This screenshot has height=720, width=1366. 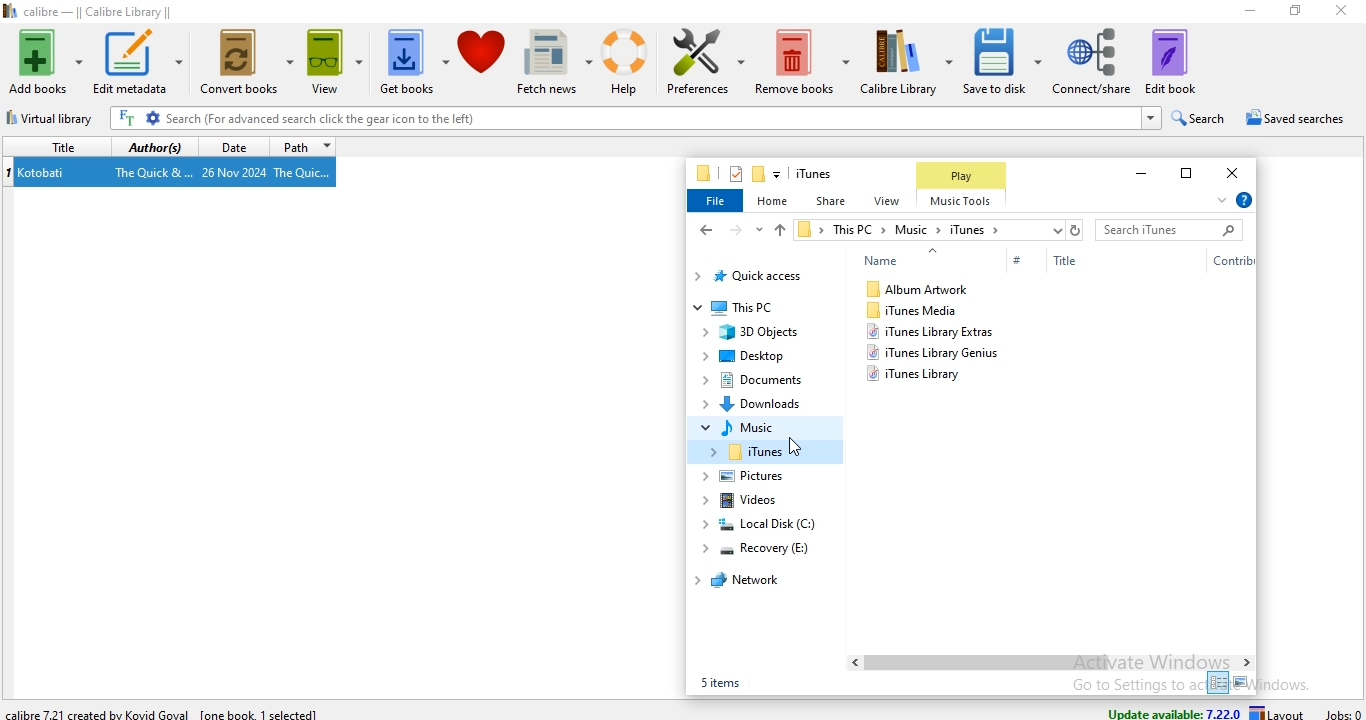 I want to click on edit metadata, so click(x=138, y=61).